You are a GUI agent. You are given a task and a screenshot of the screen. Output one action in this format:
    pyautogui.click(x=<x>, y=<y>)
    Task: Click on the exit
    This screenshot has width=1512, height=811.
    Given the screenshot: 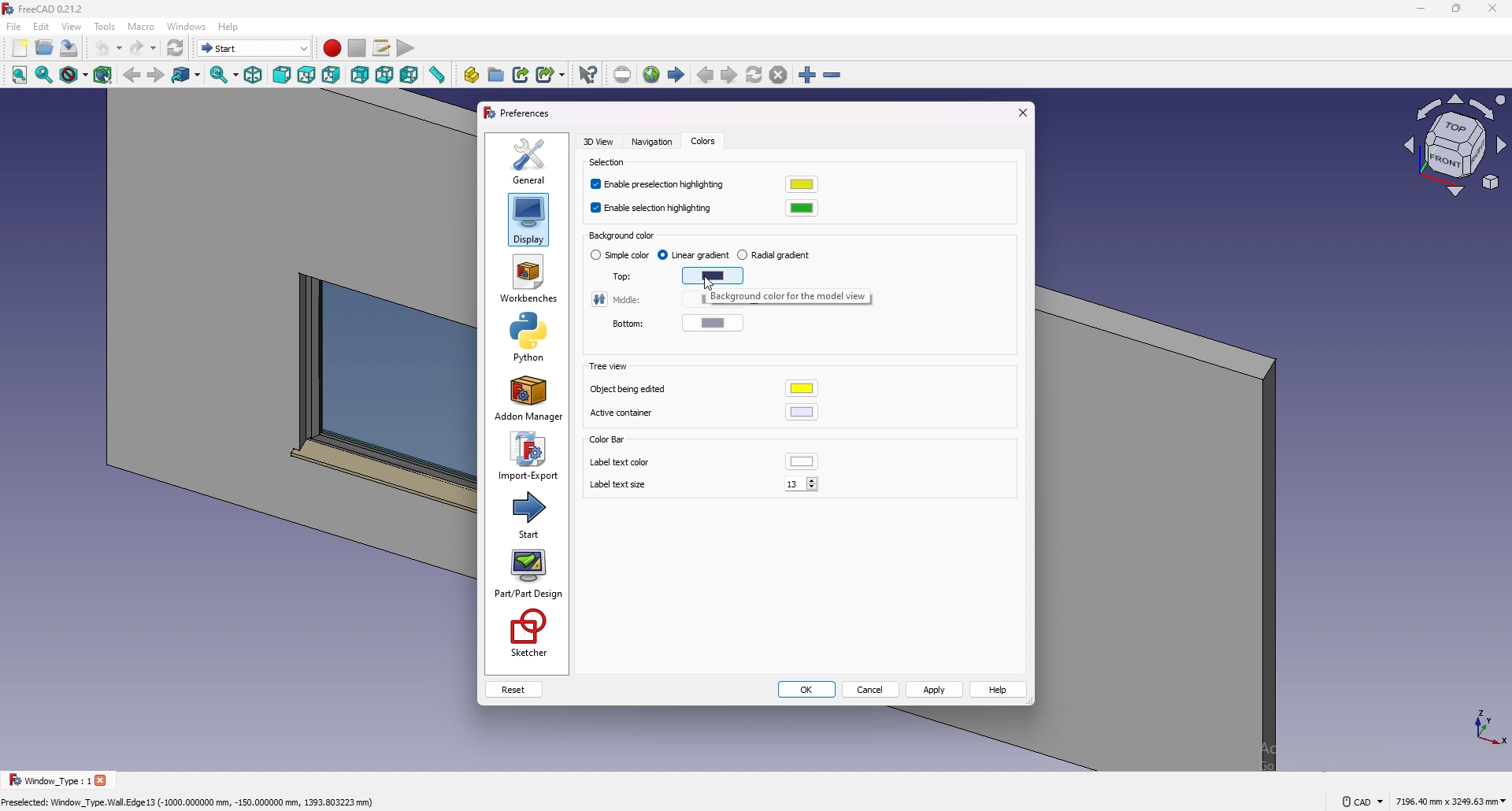 What is the action you would take?
    pyautogui.click(x=1021, y=113)
    